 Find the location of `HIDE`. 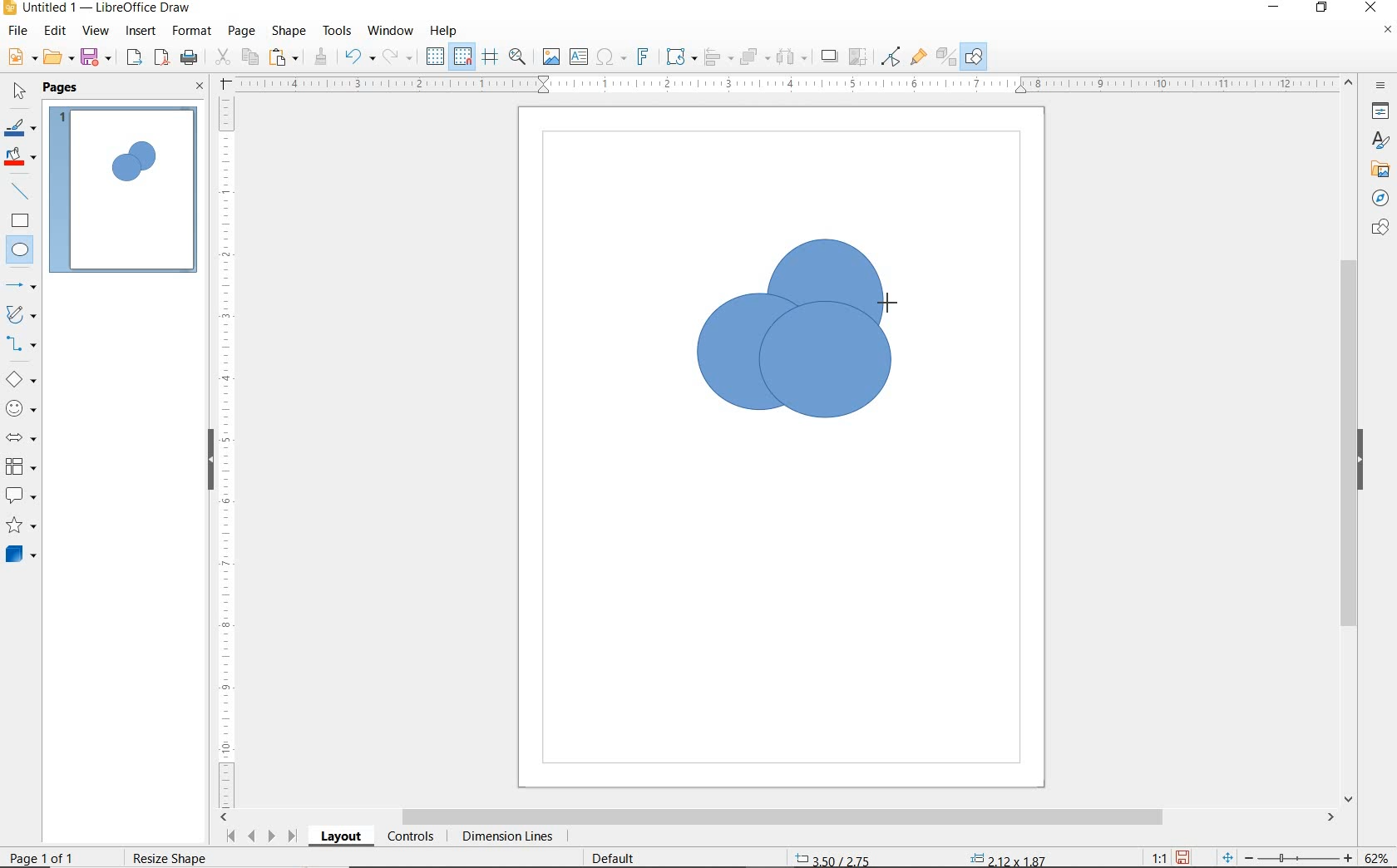

HIDE is located at coordinates (1365, 460).